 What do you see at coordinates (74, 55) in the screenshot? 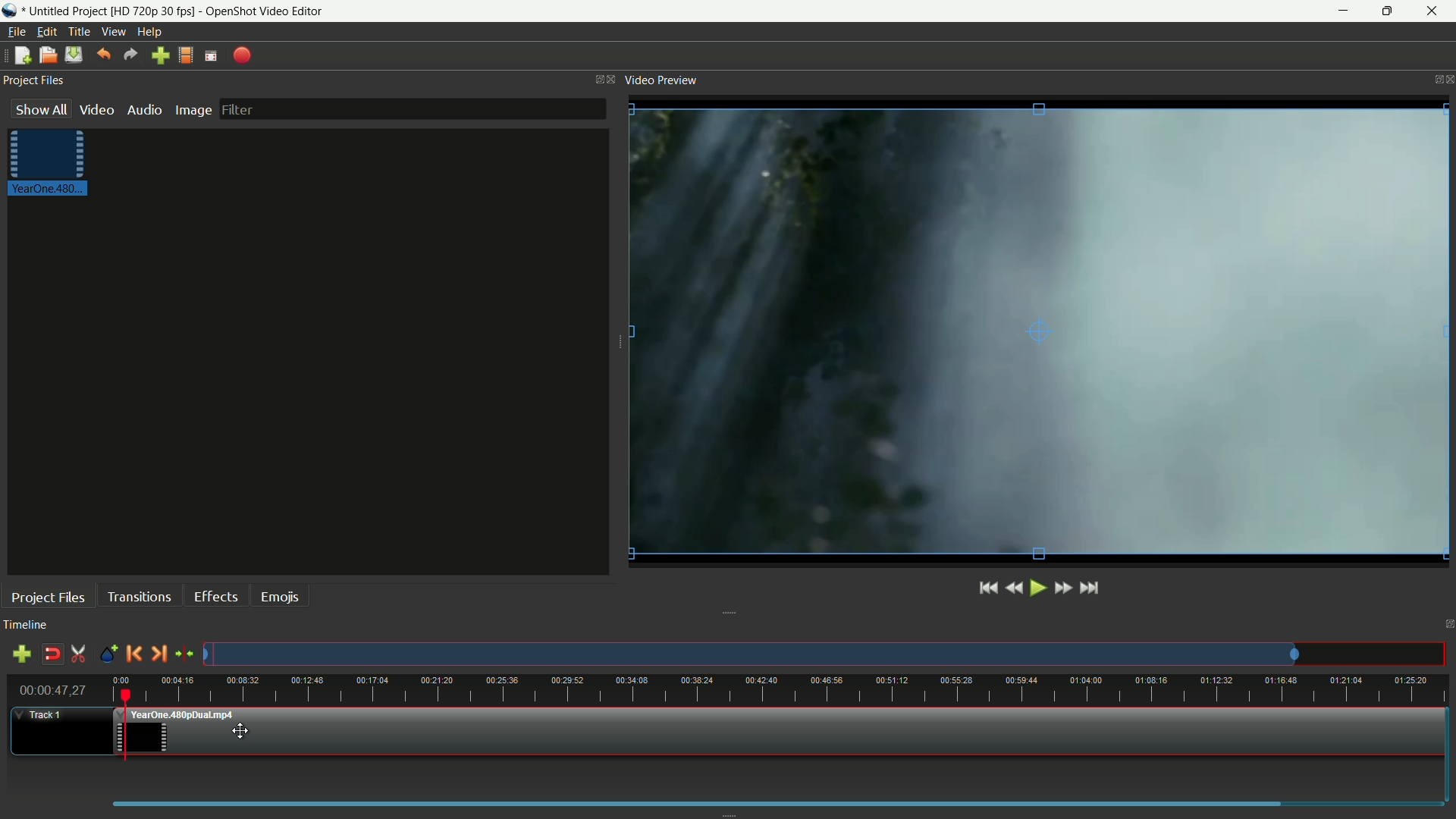
I see `save file` at bounding box center [74, 55].